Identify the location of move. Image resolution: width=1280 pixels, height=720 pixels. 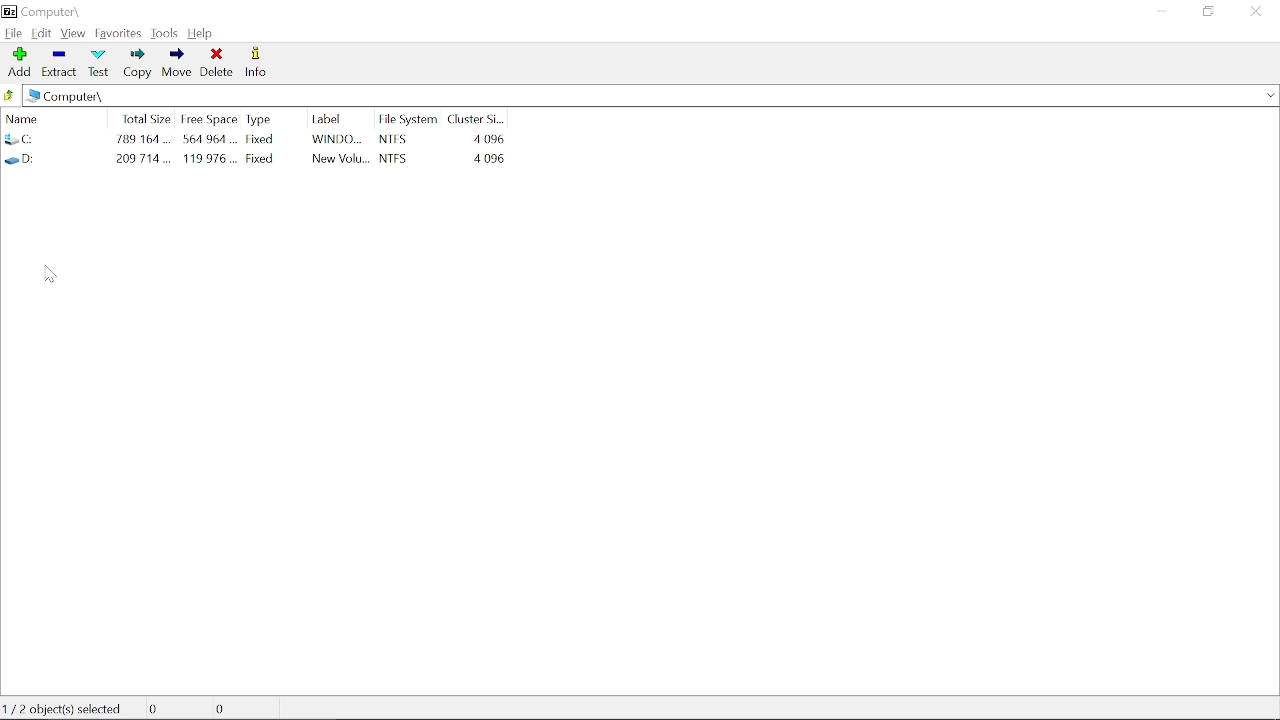
(178, 64).